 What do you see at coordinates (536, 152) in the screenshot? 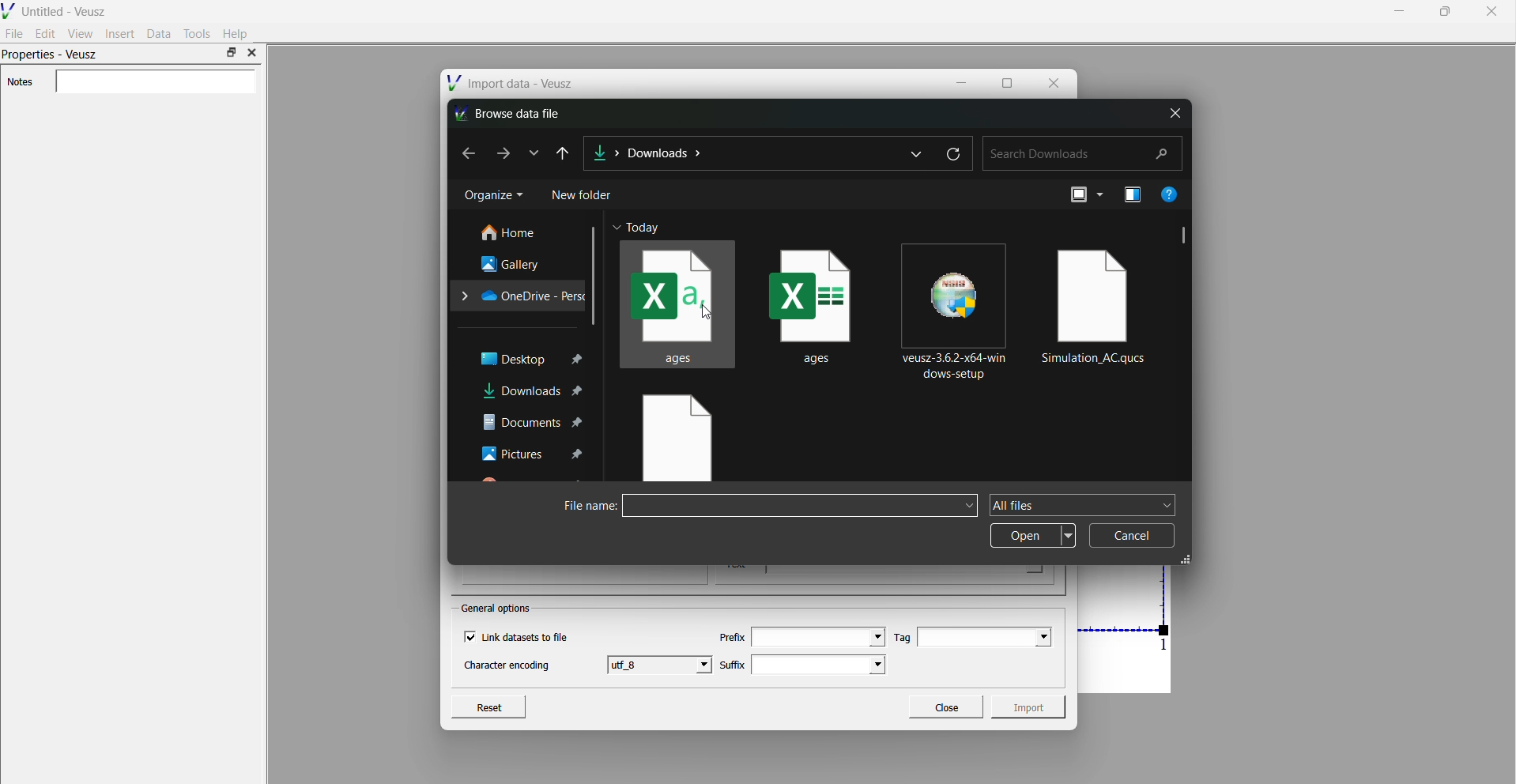
I see `recent` at bounding box center [536, 152].